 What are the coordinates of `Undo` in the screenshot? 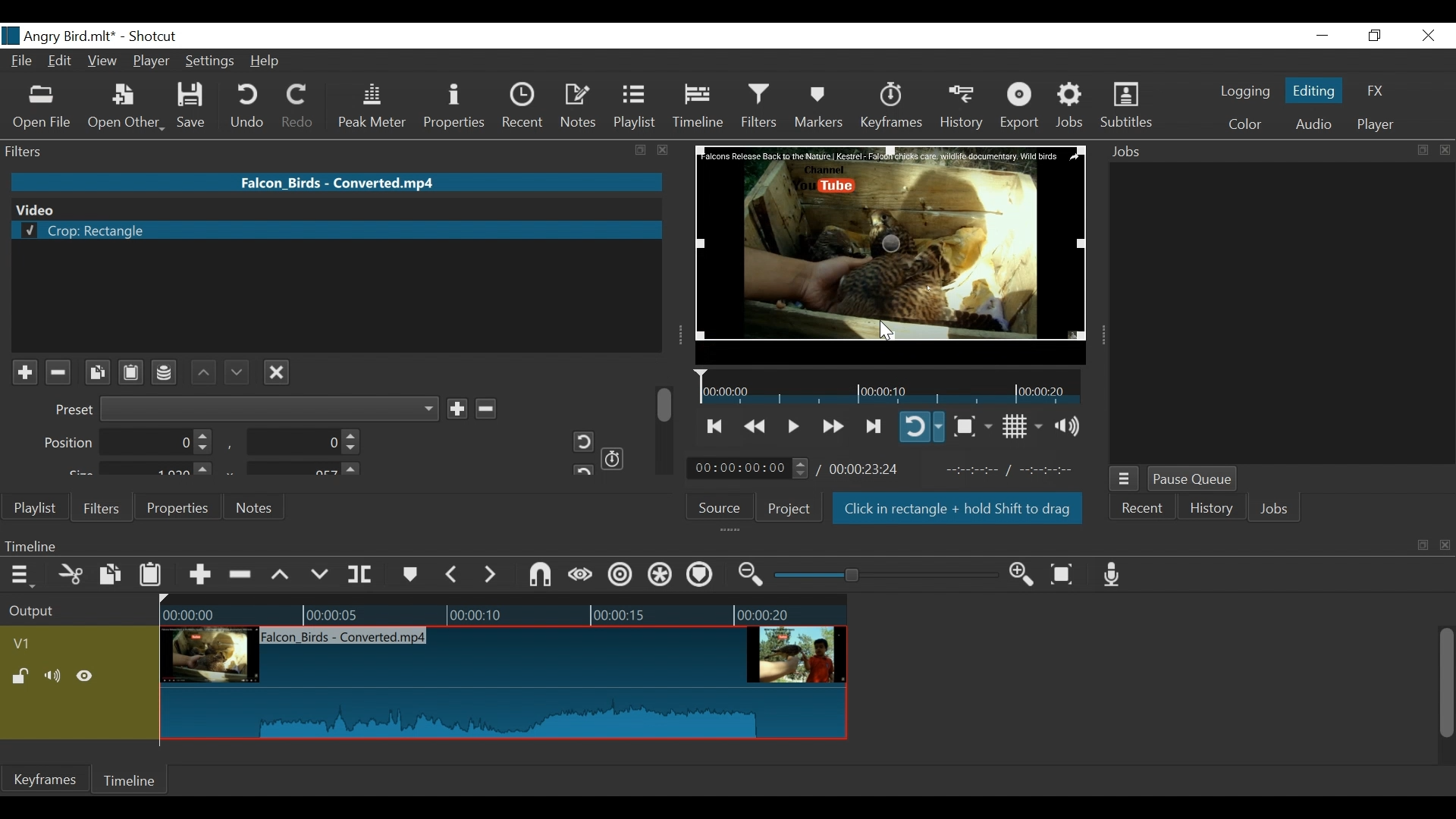 It's located at (249, 106).